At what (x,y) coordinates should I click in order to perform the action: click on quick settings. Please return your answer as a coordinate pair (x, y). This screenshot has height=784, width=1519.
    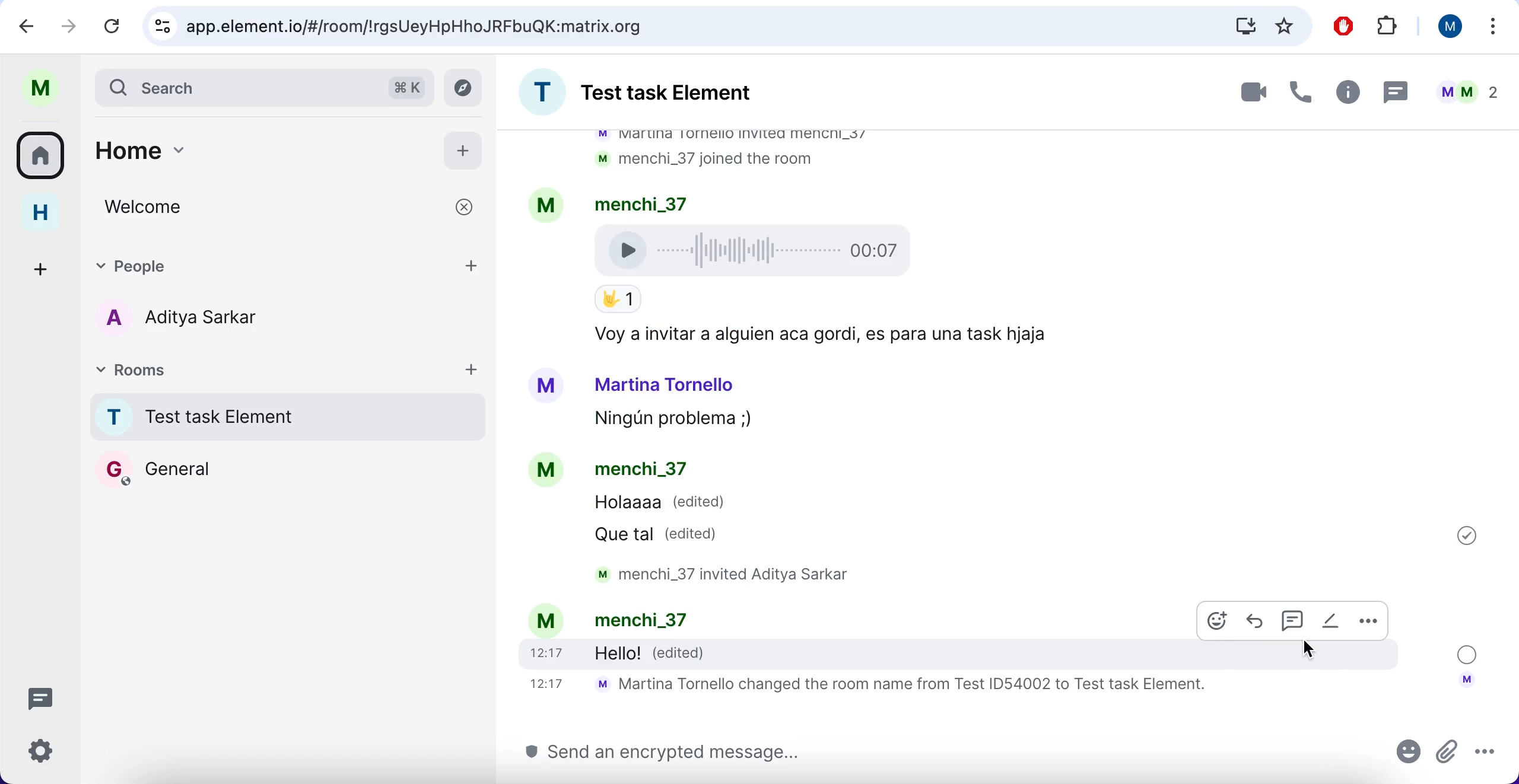
    Looking at the image, I should click on (41, 749).